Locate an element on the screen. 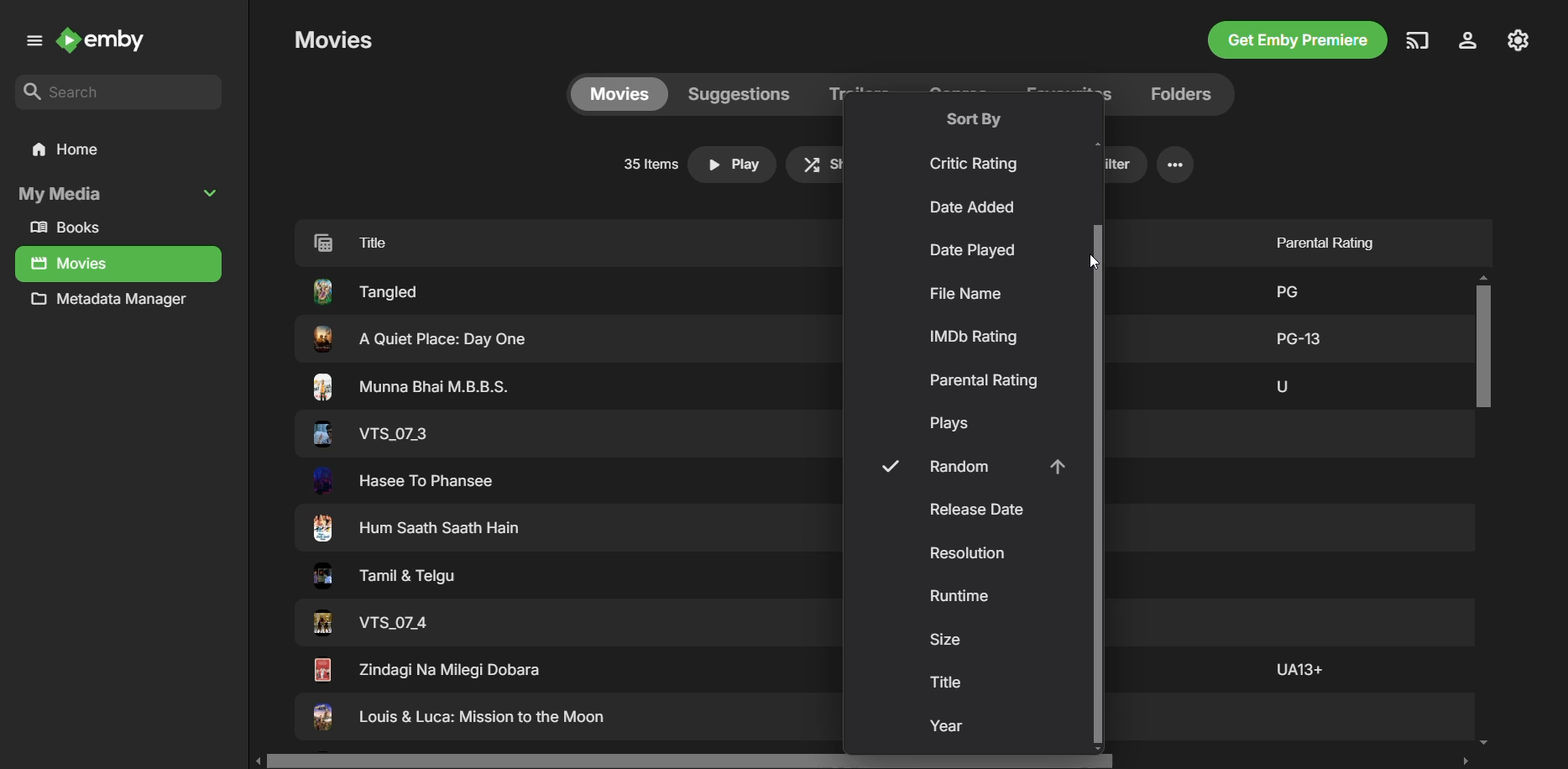   is located at coordinates (1281, 384).